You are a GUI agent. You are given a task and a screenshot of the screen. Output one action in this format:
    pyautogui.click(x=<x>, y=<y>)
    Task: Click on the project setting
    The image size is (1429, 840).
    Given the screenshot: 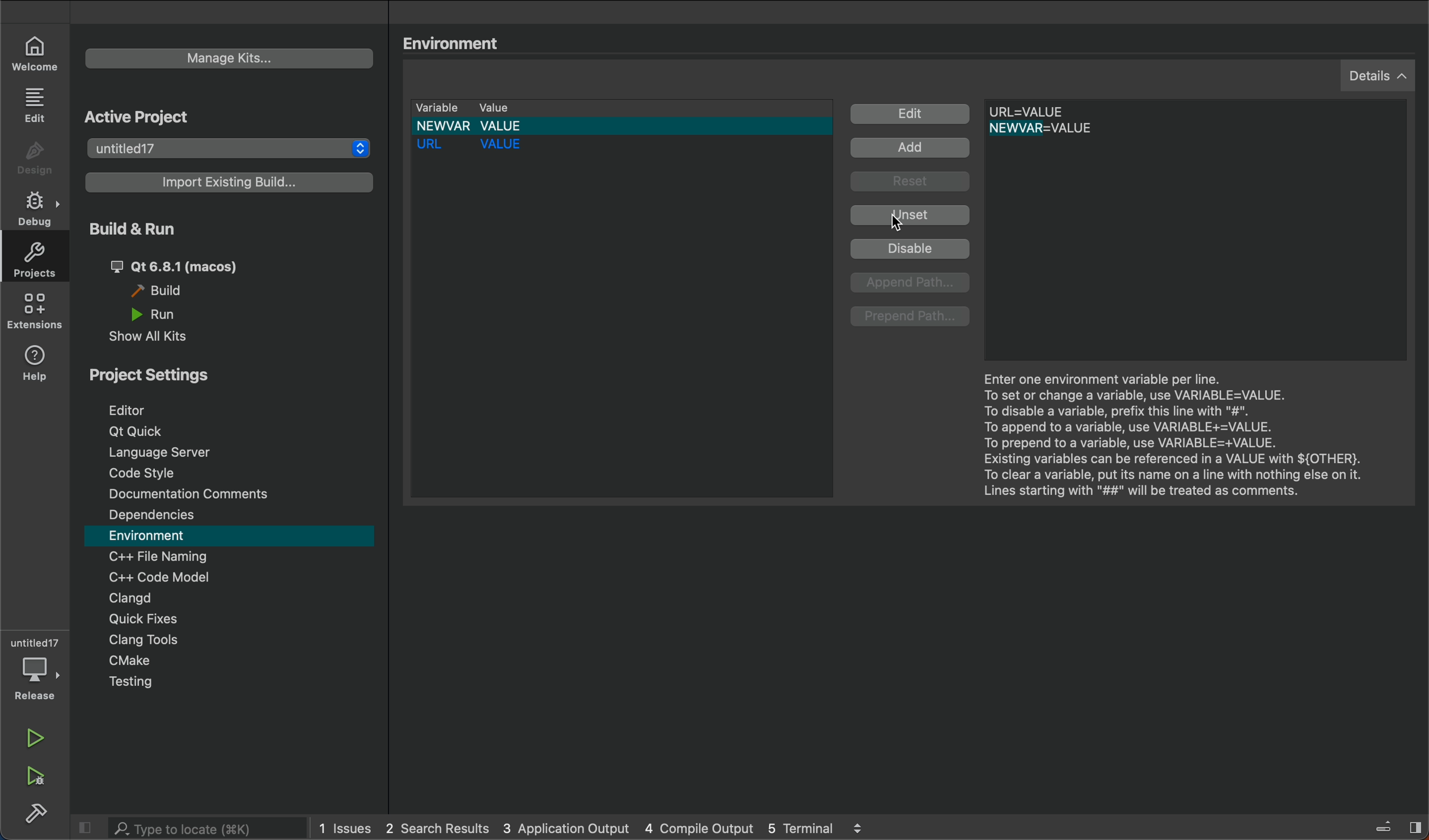 What is the action you would take?
    pyautogui.click(x=176, y=377)
    